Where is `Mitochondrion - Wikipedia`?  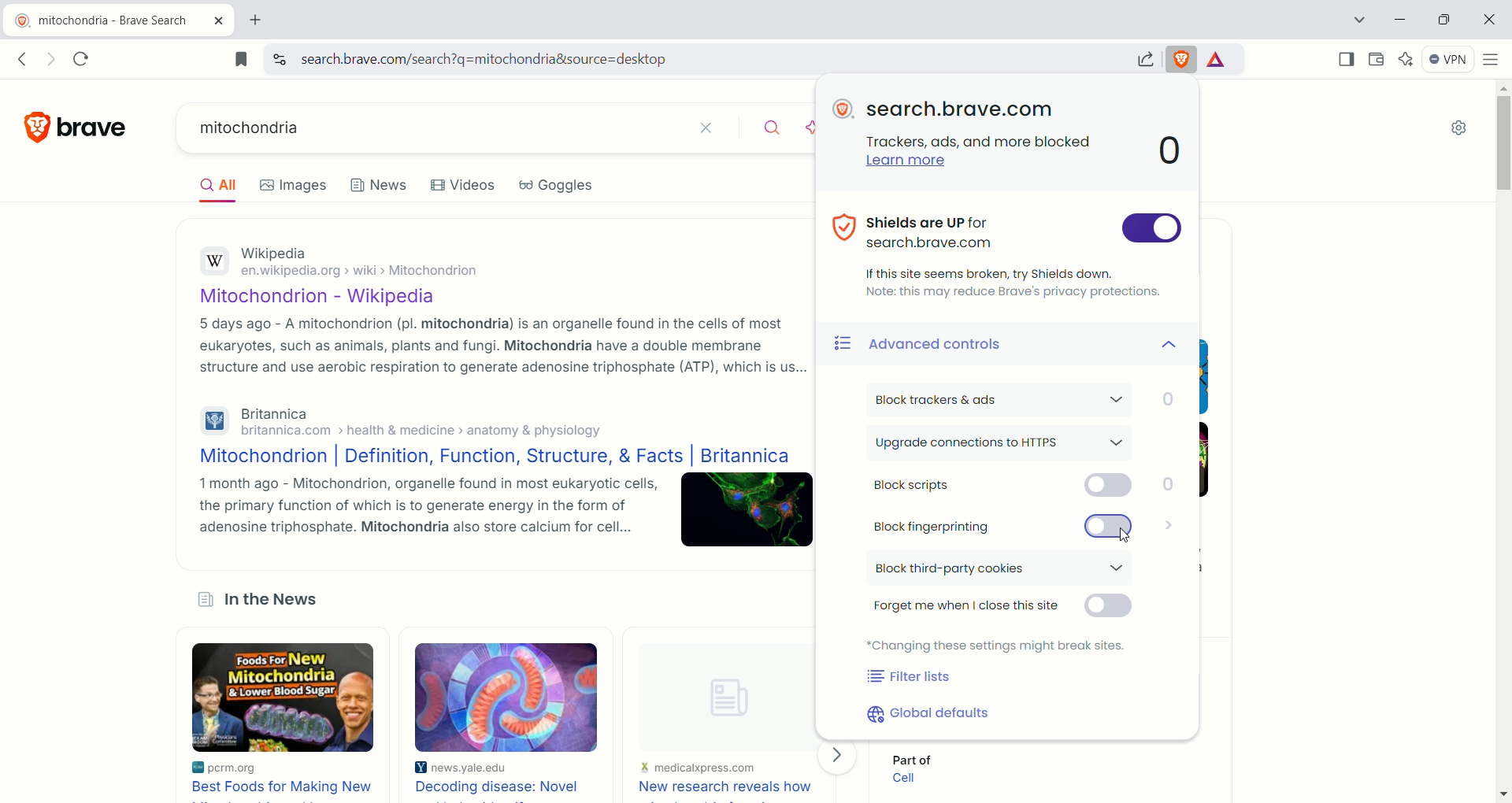
Mitochondrion - Wikipedia is located at coordinates (332, 298).